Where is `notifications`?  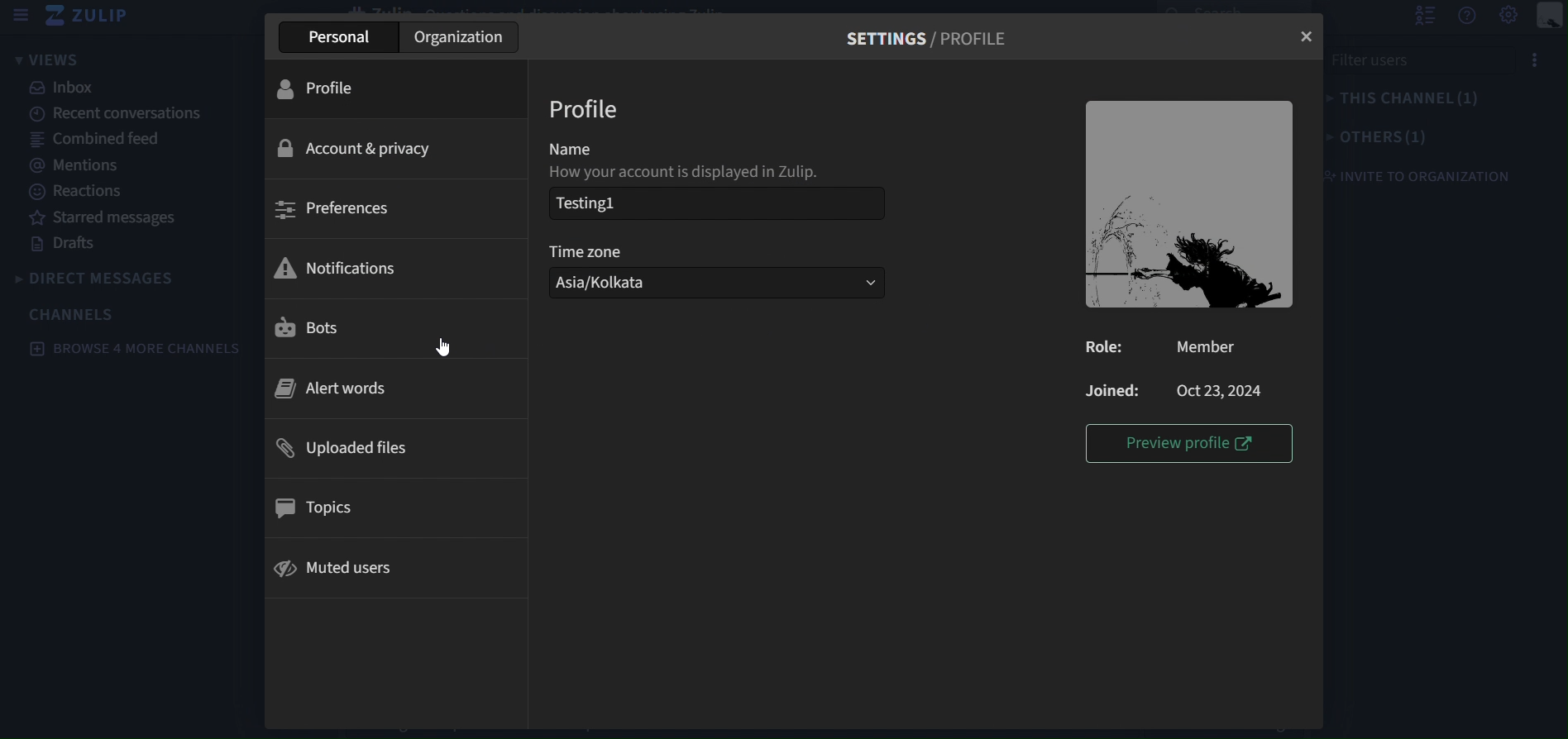
notifications is located at coordinates (399, 266).